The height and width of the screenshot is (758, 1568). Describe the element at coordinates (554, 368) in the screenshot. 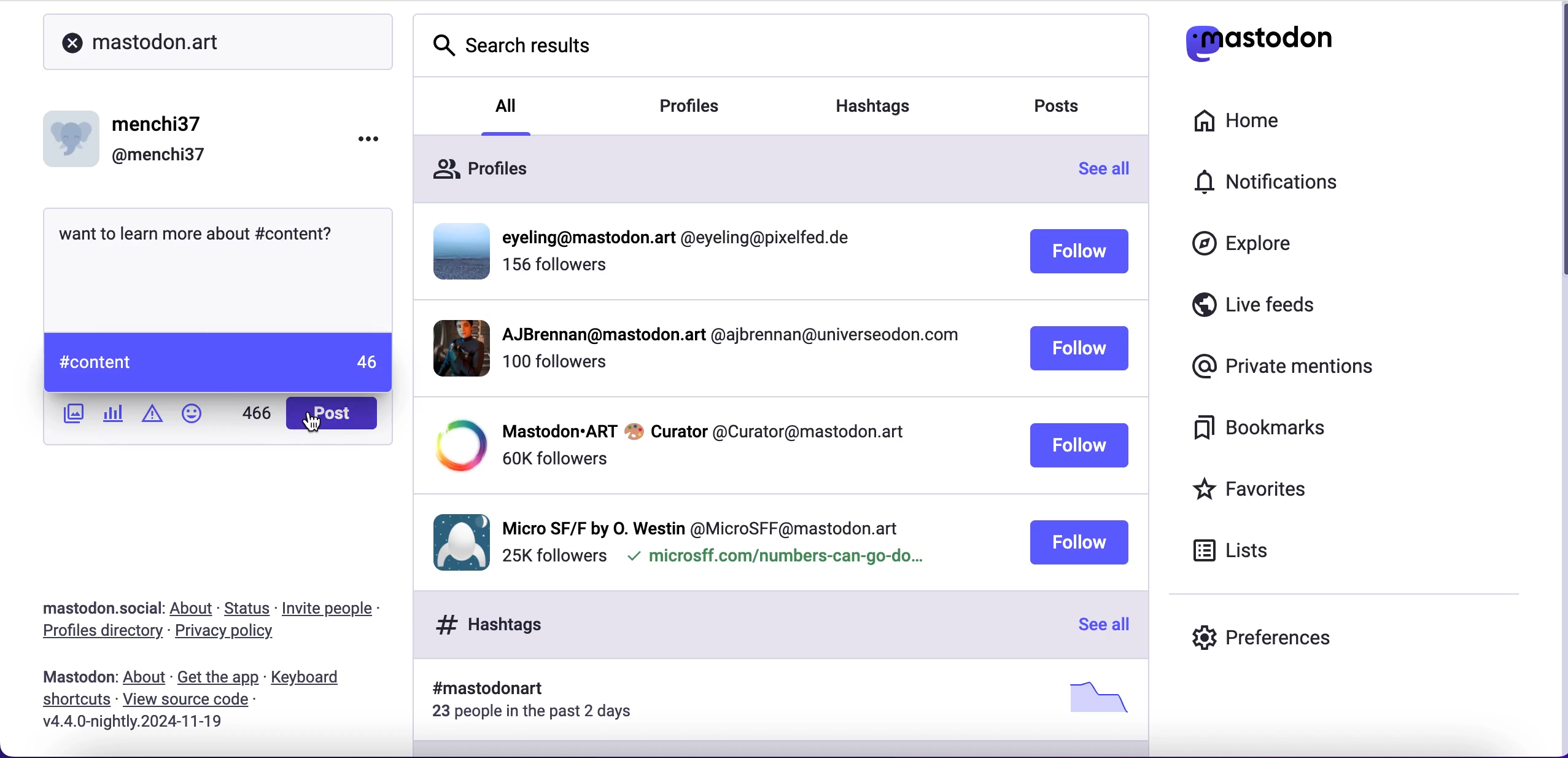

I see `followers` at that location.